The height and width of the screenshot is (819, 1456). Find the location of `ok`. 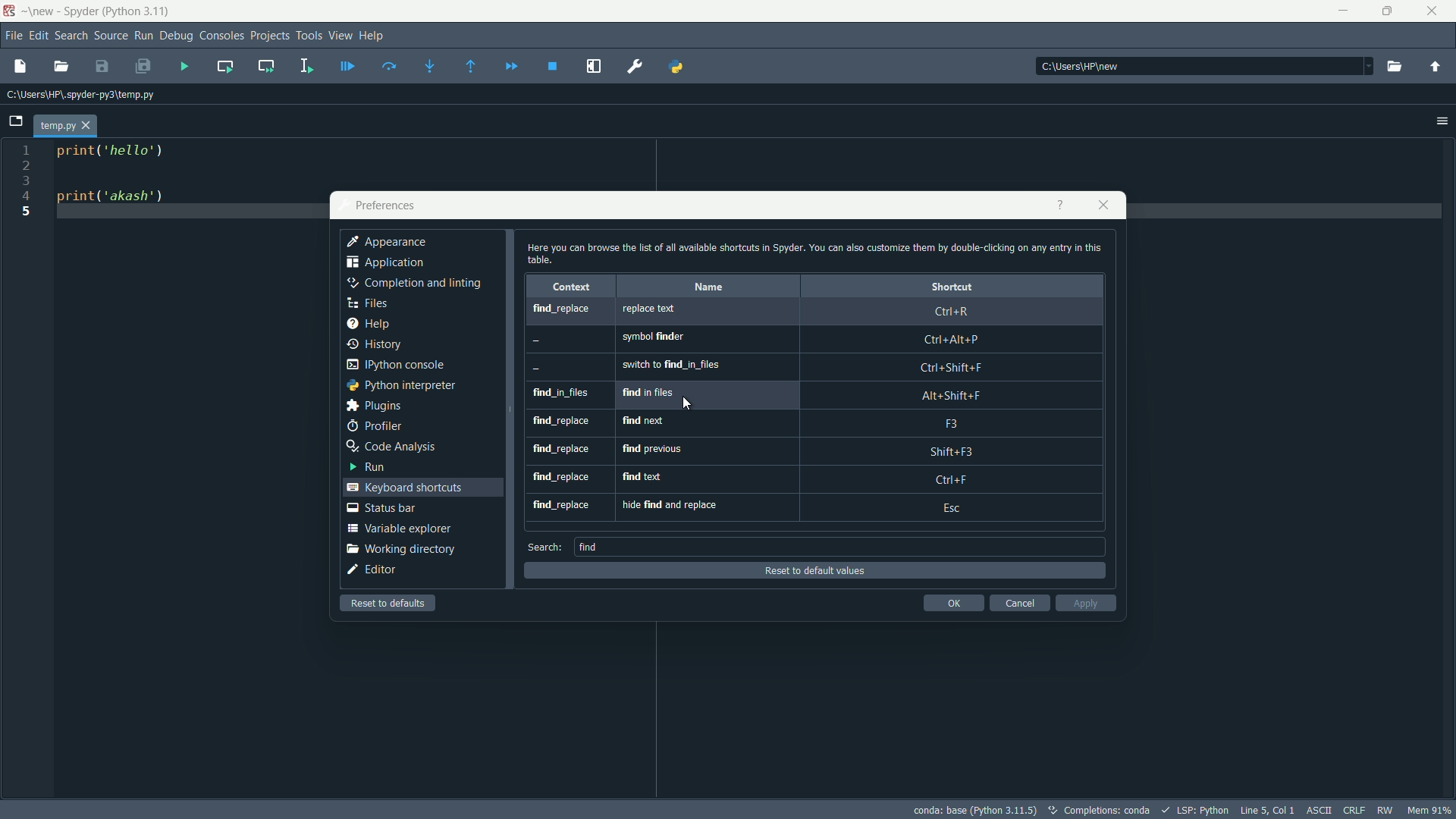

ok is located at coordinates (954, 604).